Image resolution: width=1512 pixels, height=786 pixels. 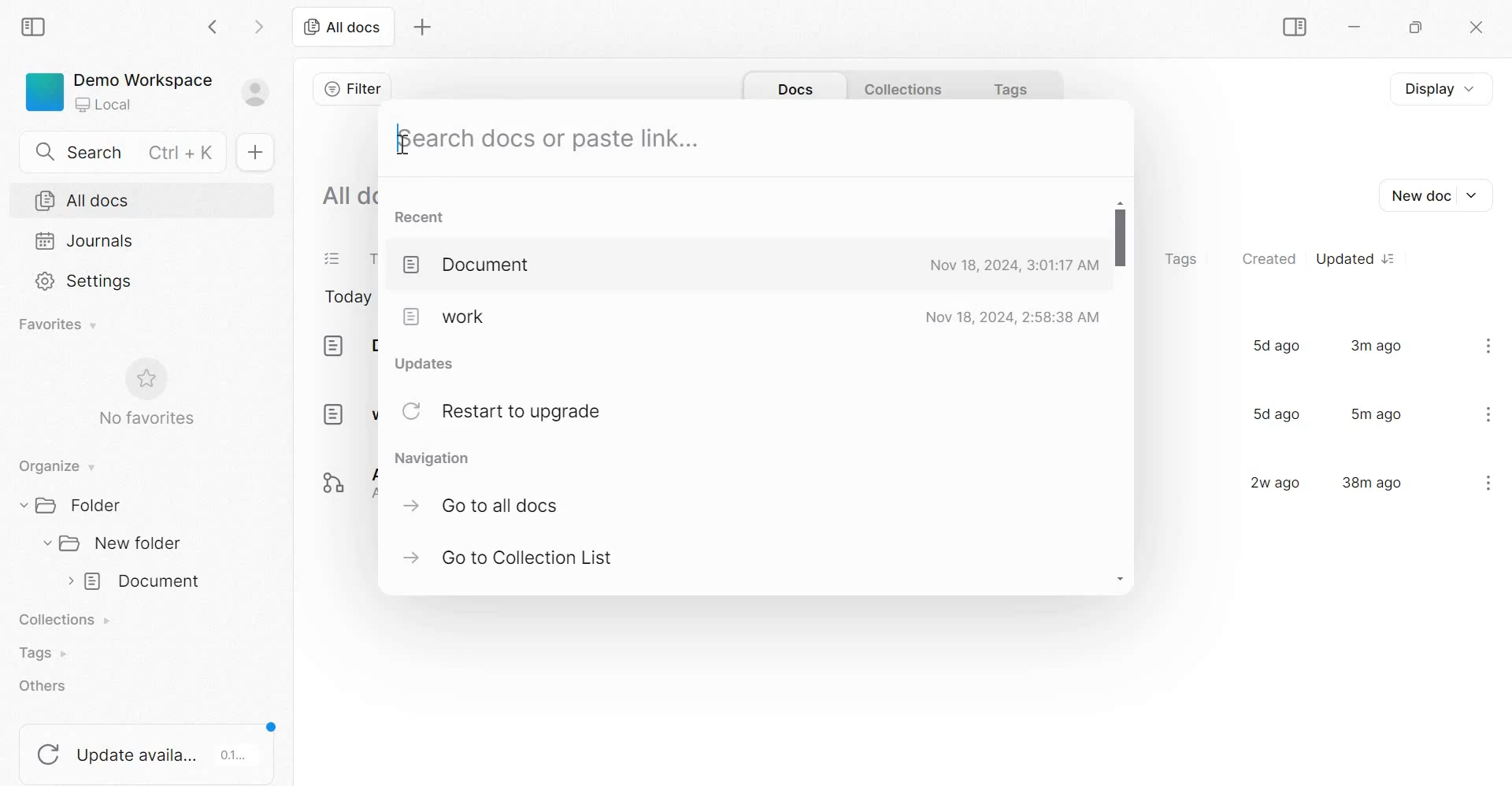 I want to click on Settings, so click(x=86, y=280).